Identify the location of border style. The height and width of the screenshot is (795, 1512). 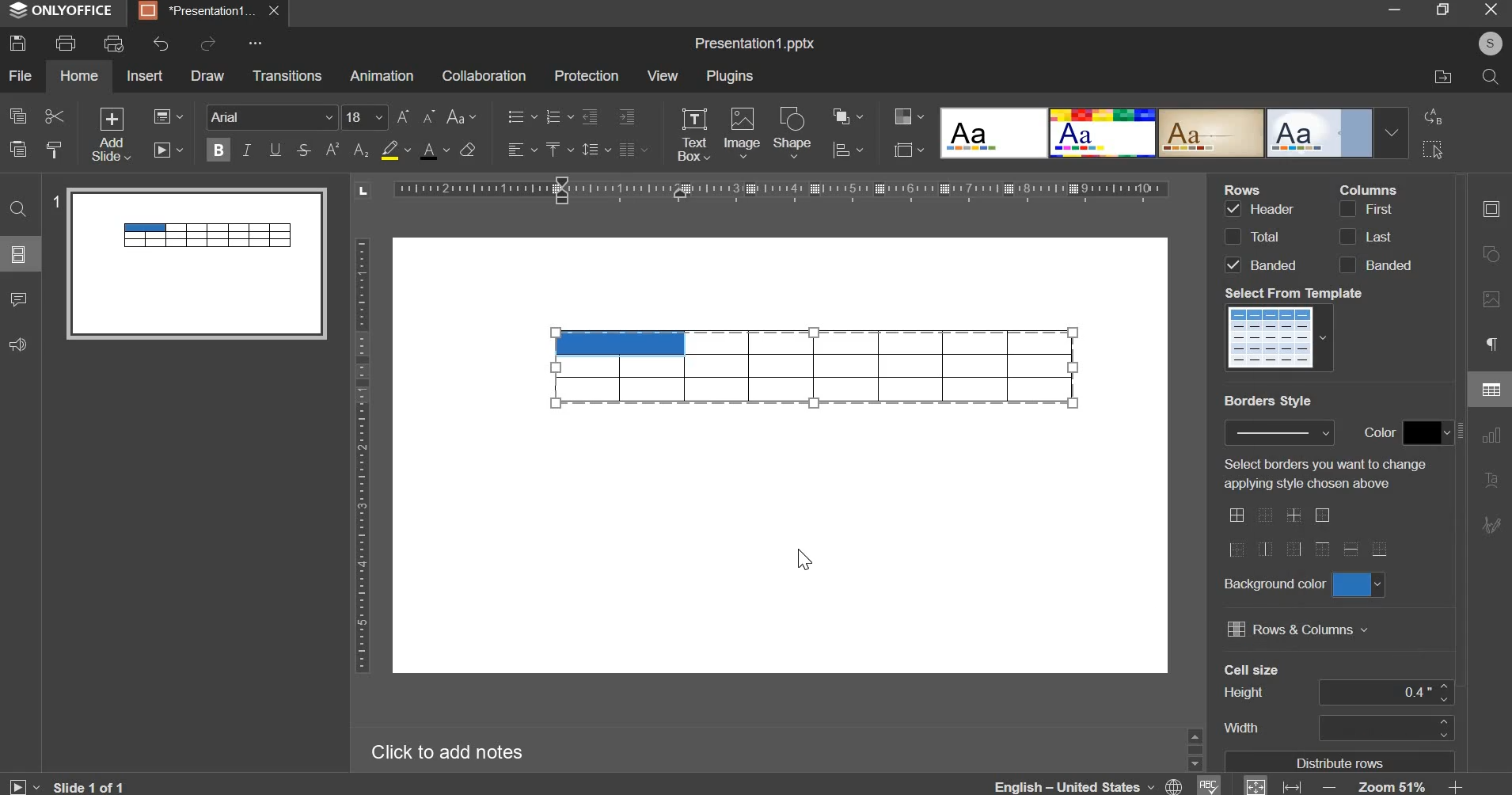
(1279, 432).